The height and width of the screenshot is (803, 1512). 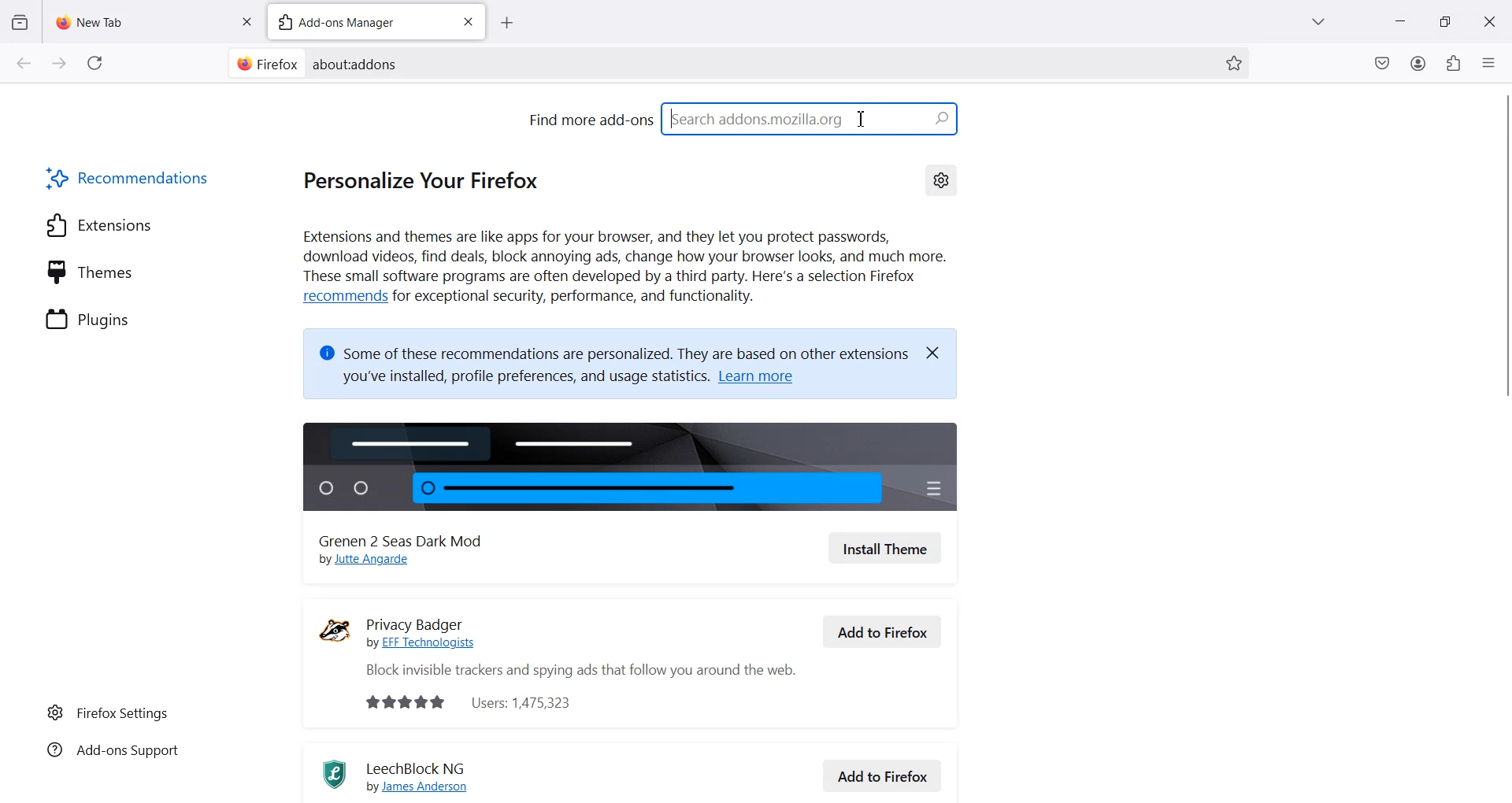 I want to click on Add-ons Support, so click(x=110, y=753).